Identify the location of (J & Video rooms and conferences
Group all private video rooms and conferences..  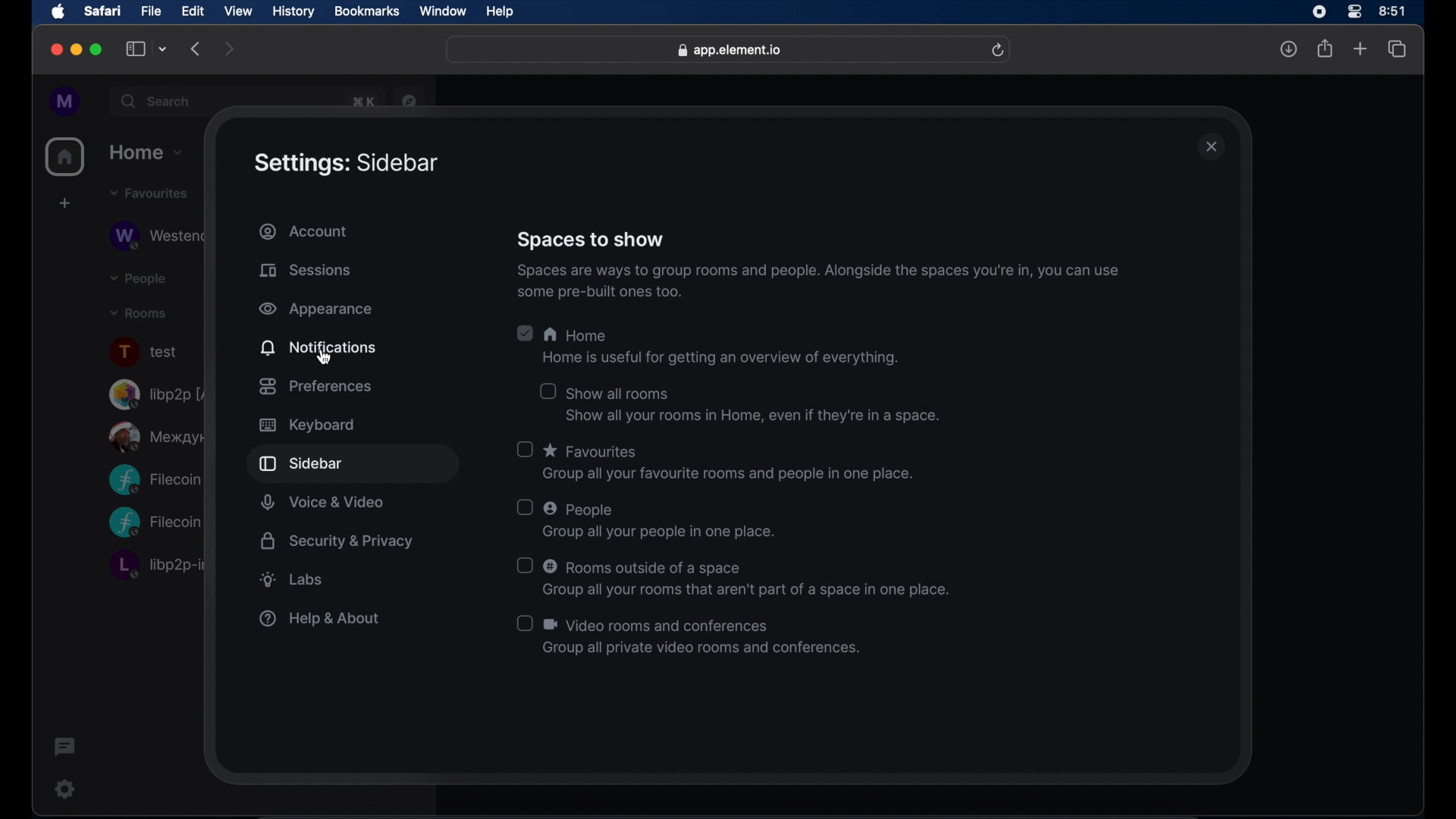
(696, 639).